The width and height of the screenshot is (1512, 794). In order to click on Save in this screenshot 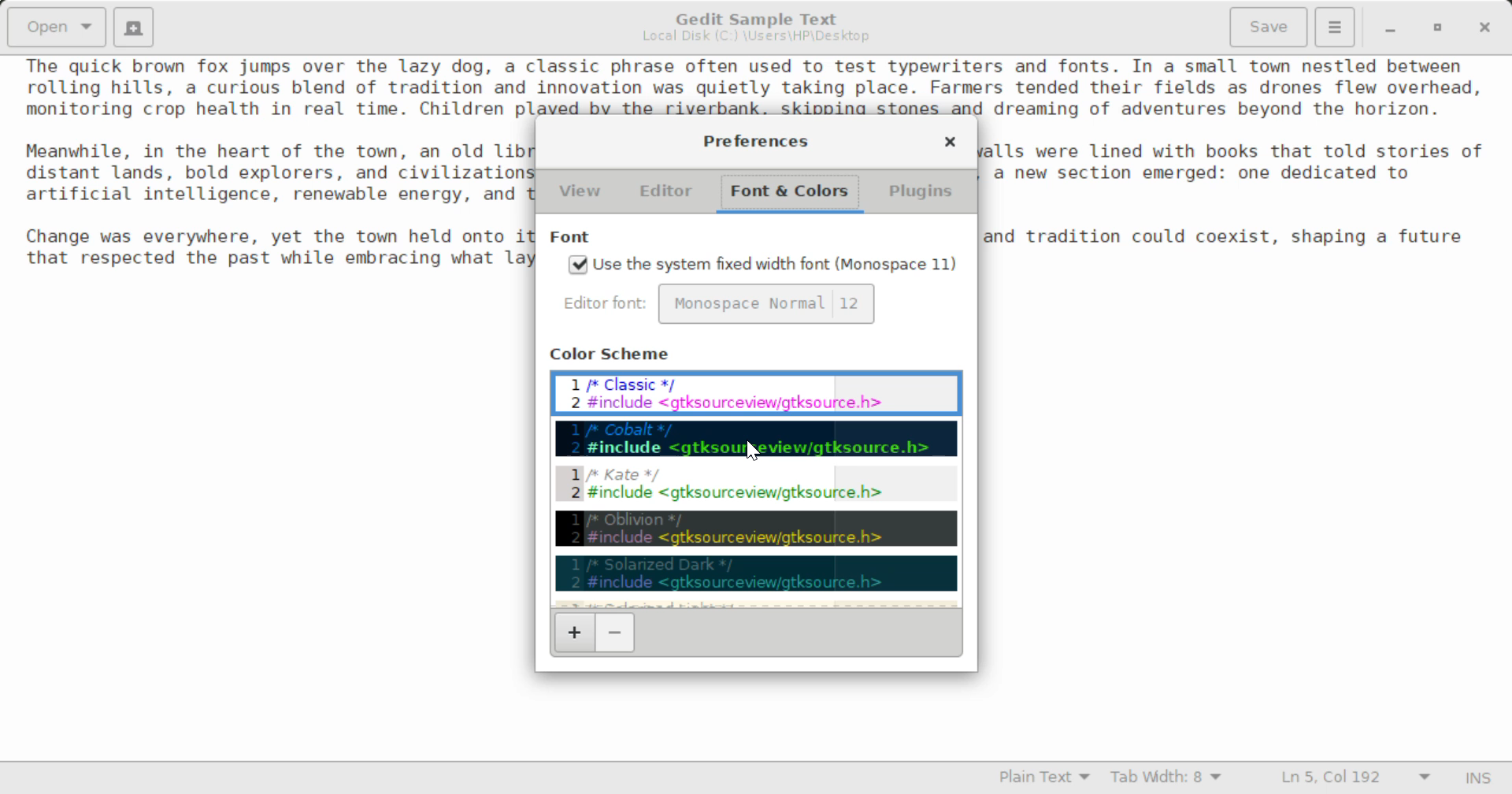, I will do `click(1269, 25)`.